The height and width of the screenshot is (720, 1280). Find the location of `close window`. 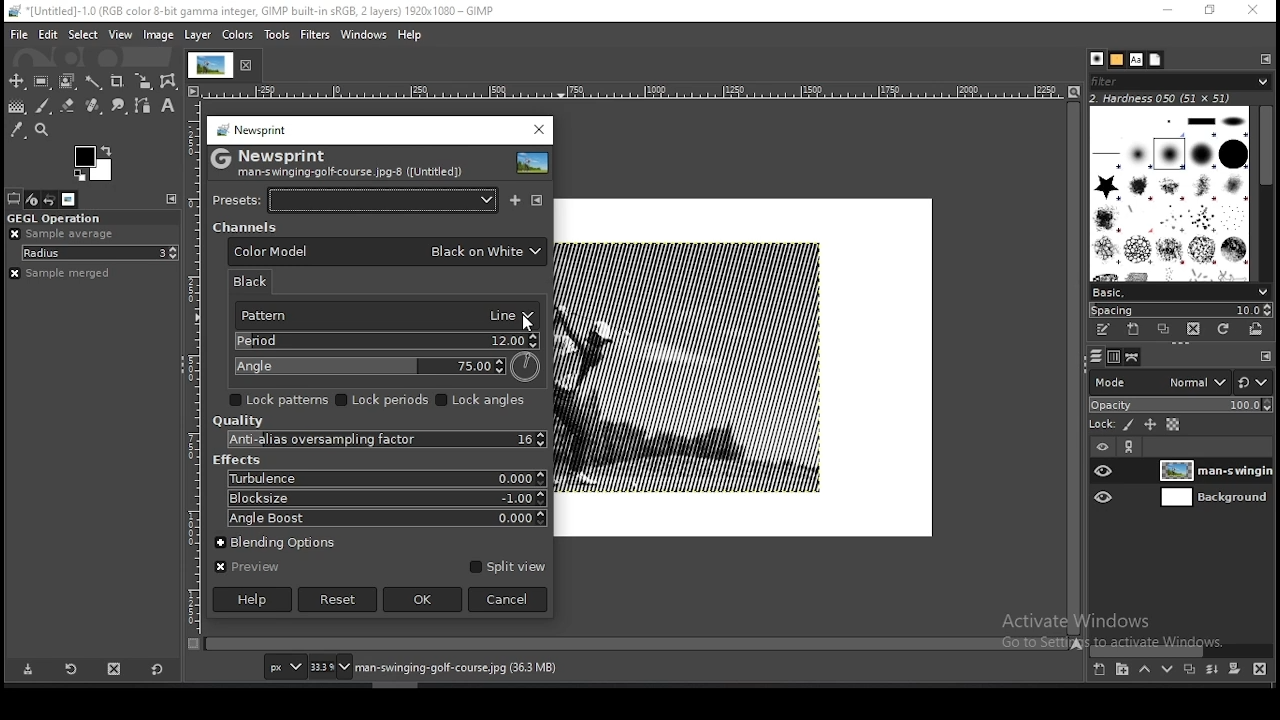

close window is located at coordinates (1253, 10).